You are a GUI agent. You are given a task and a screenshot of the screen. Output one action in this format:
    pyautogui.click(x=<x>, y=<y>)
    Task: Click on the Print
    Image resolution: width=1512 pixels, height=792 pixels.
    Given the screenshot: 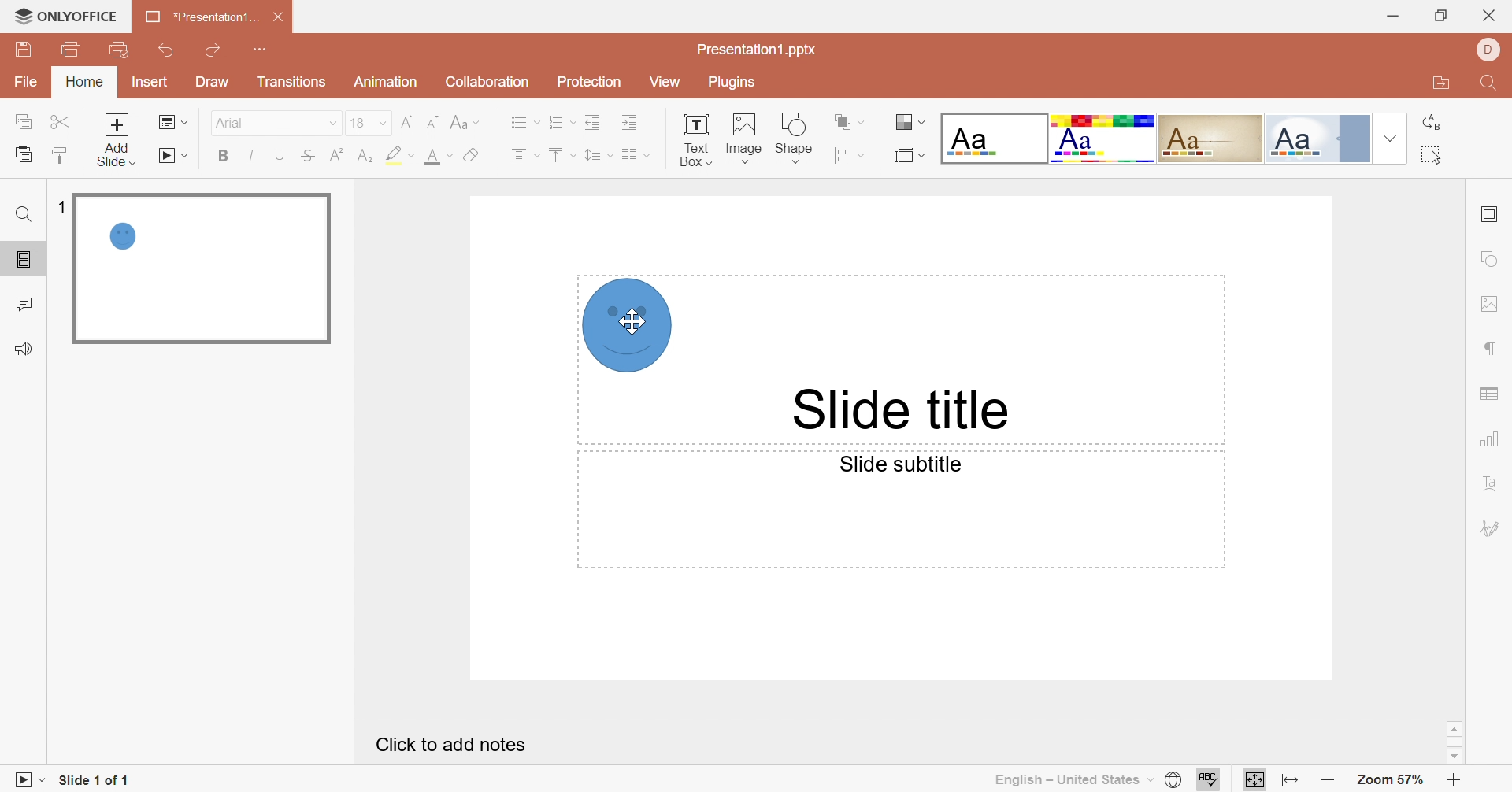 What is the action you would take?
    pyautogui.click(x=70, y=48)
    